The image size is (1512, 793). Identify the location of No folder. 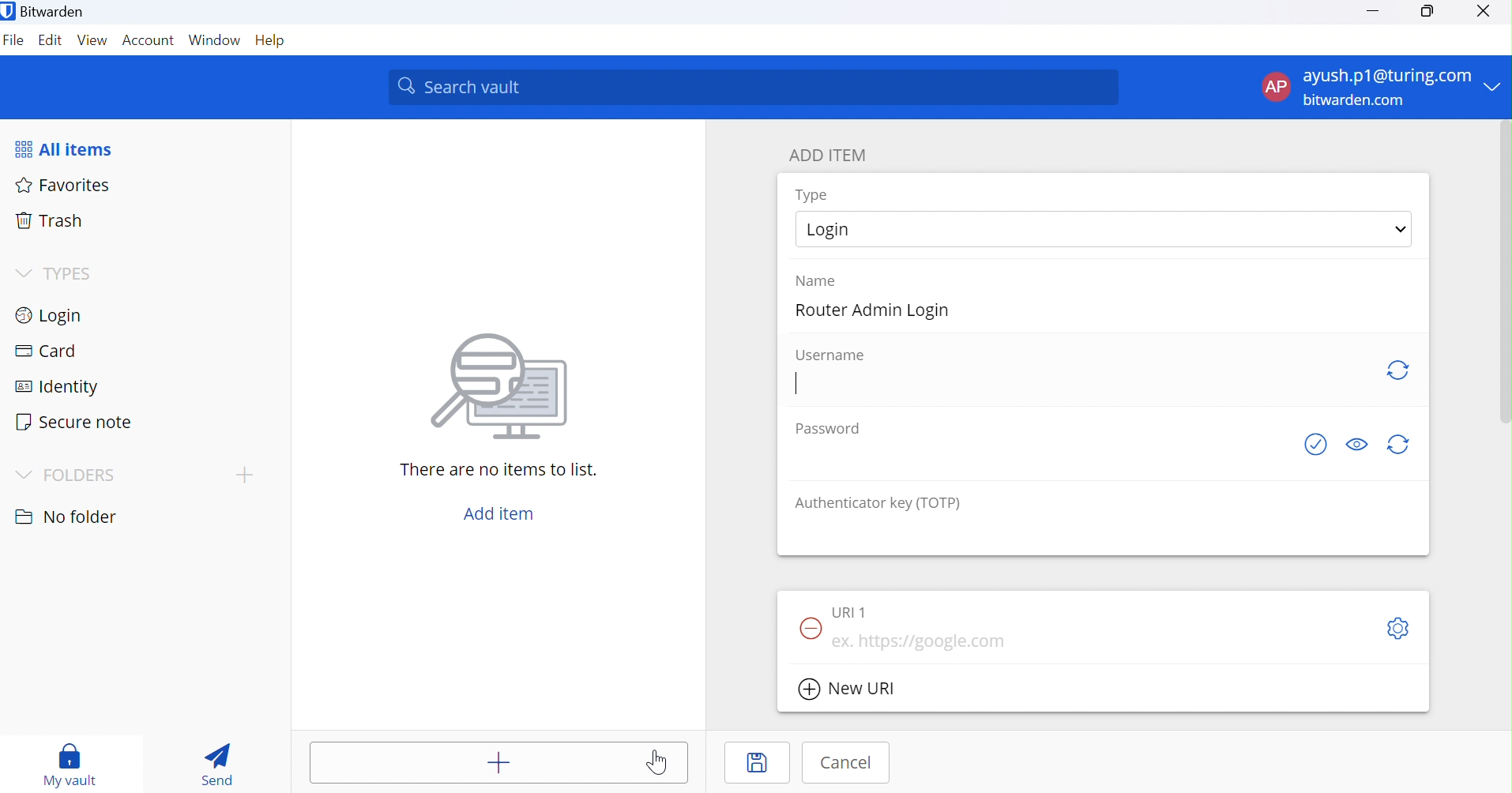
(65, 513).